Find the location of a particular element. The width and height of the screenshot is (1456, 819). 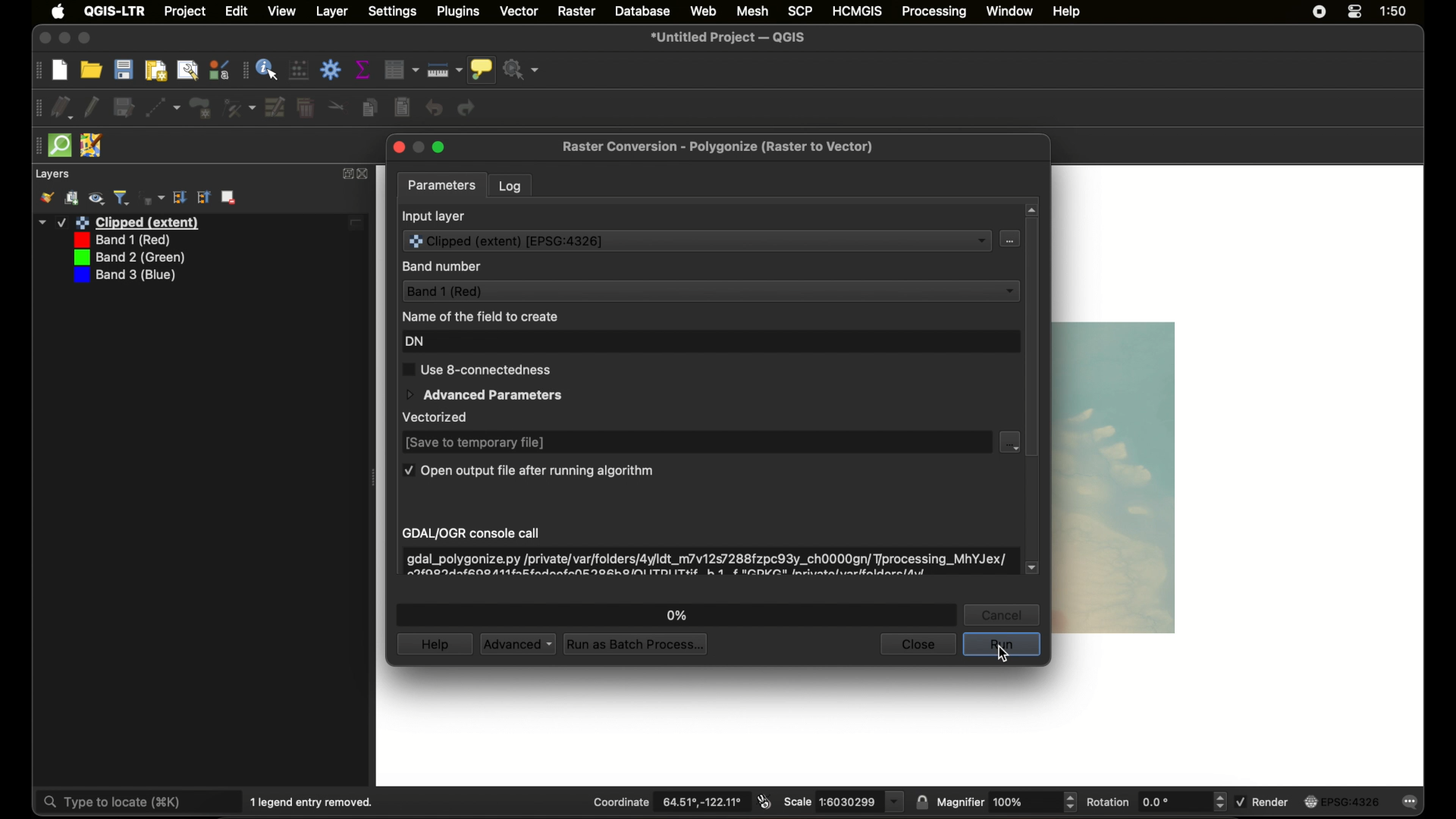

scp is located at coordinates (797, 10).